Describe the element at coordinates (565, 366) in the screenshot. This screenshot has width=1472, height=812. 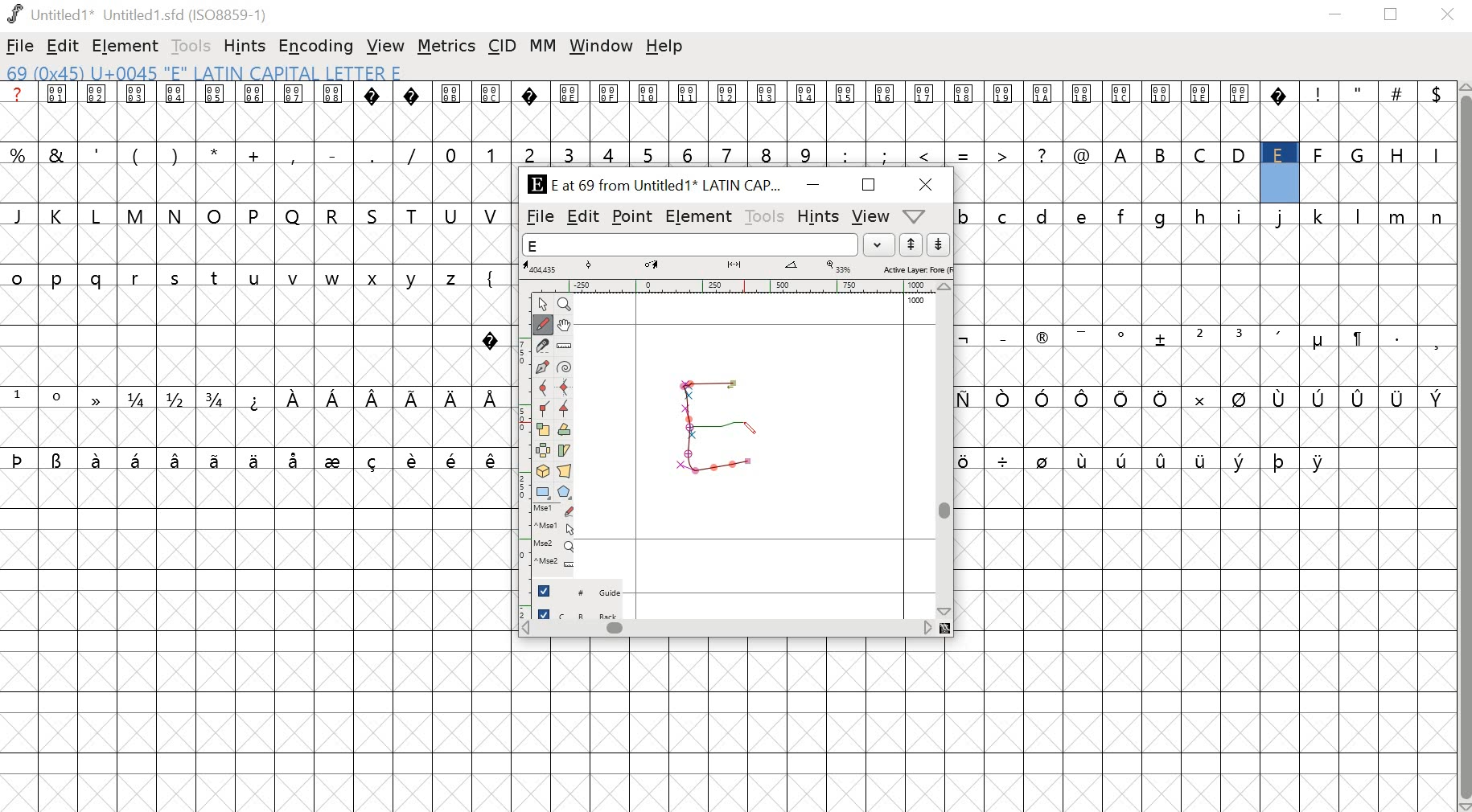
I see `Spiro` at that location.